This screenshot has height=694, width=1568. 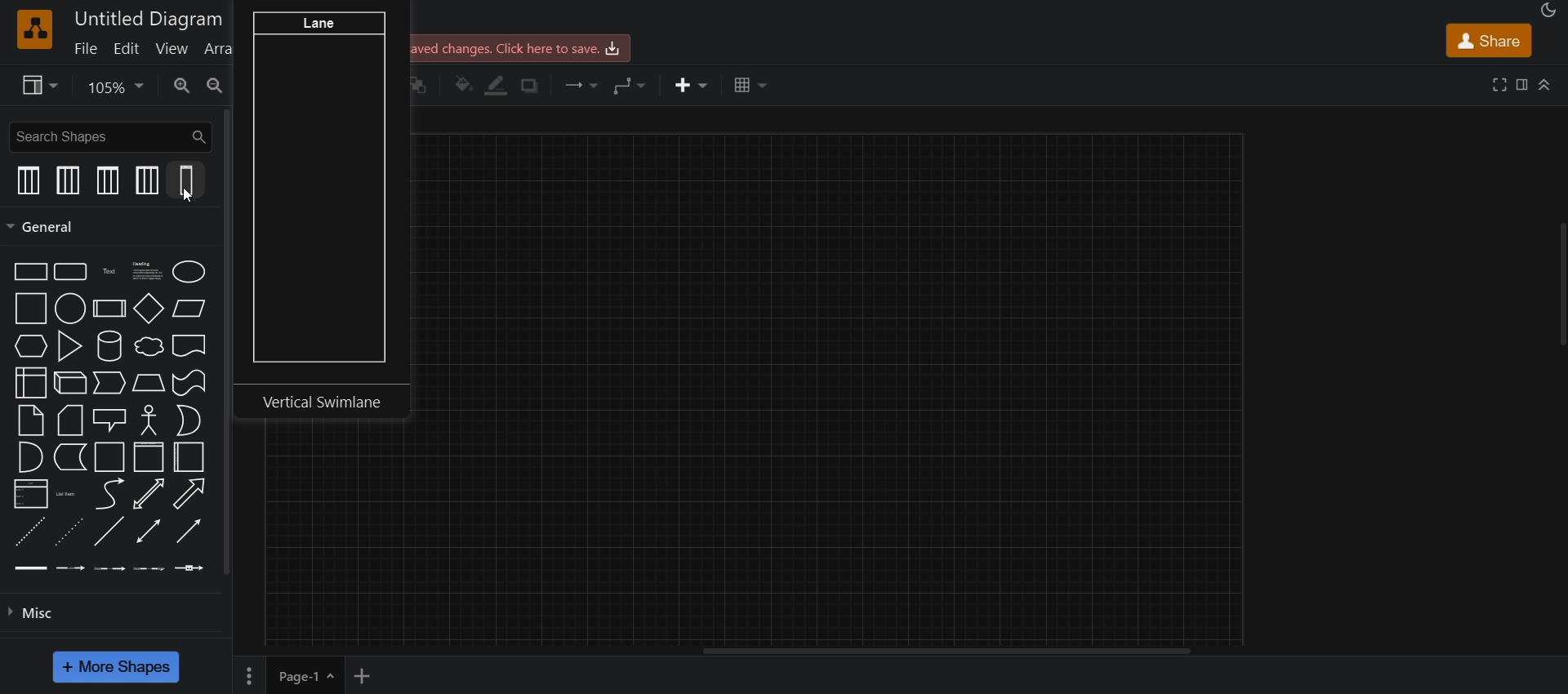 I want to click on text, so click(x=109, y=269).